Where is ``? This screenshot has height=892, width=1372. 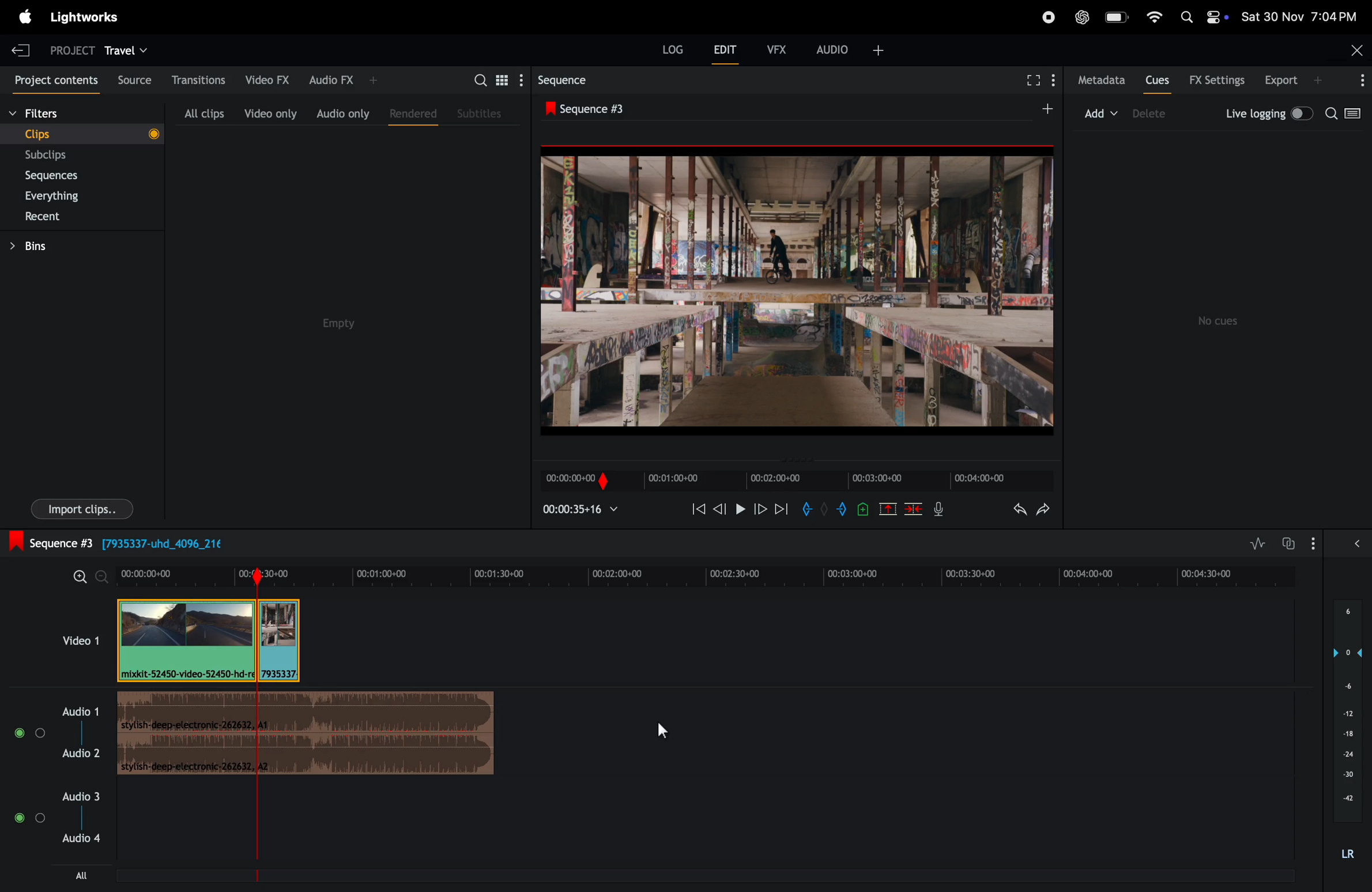  is located at coordinates (864, 508).